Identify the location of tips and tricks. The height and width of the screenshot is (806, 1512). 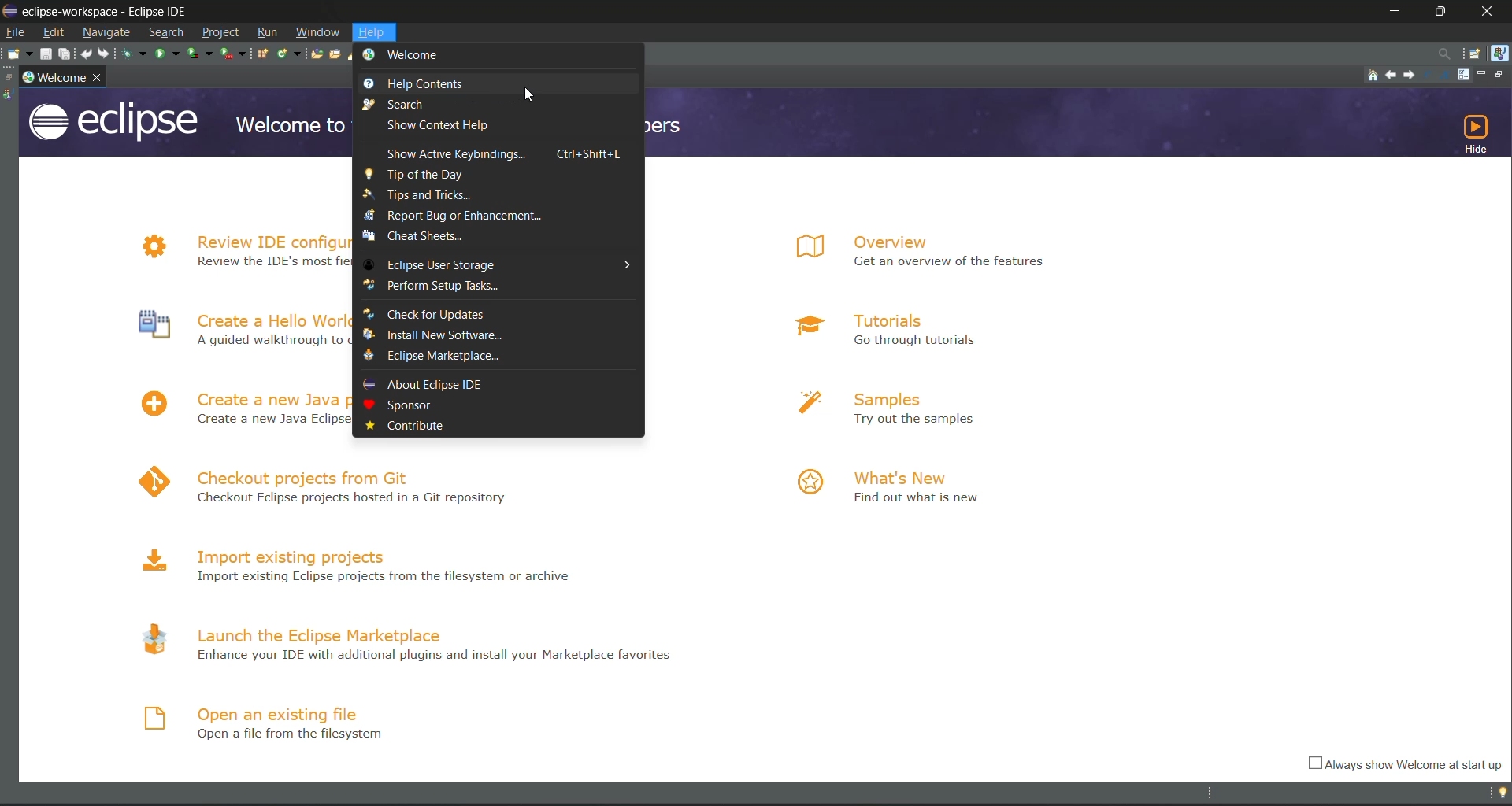
(437, 195).